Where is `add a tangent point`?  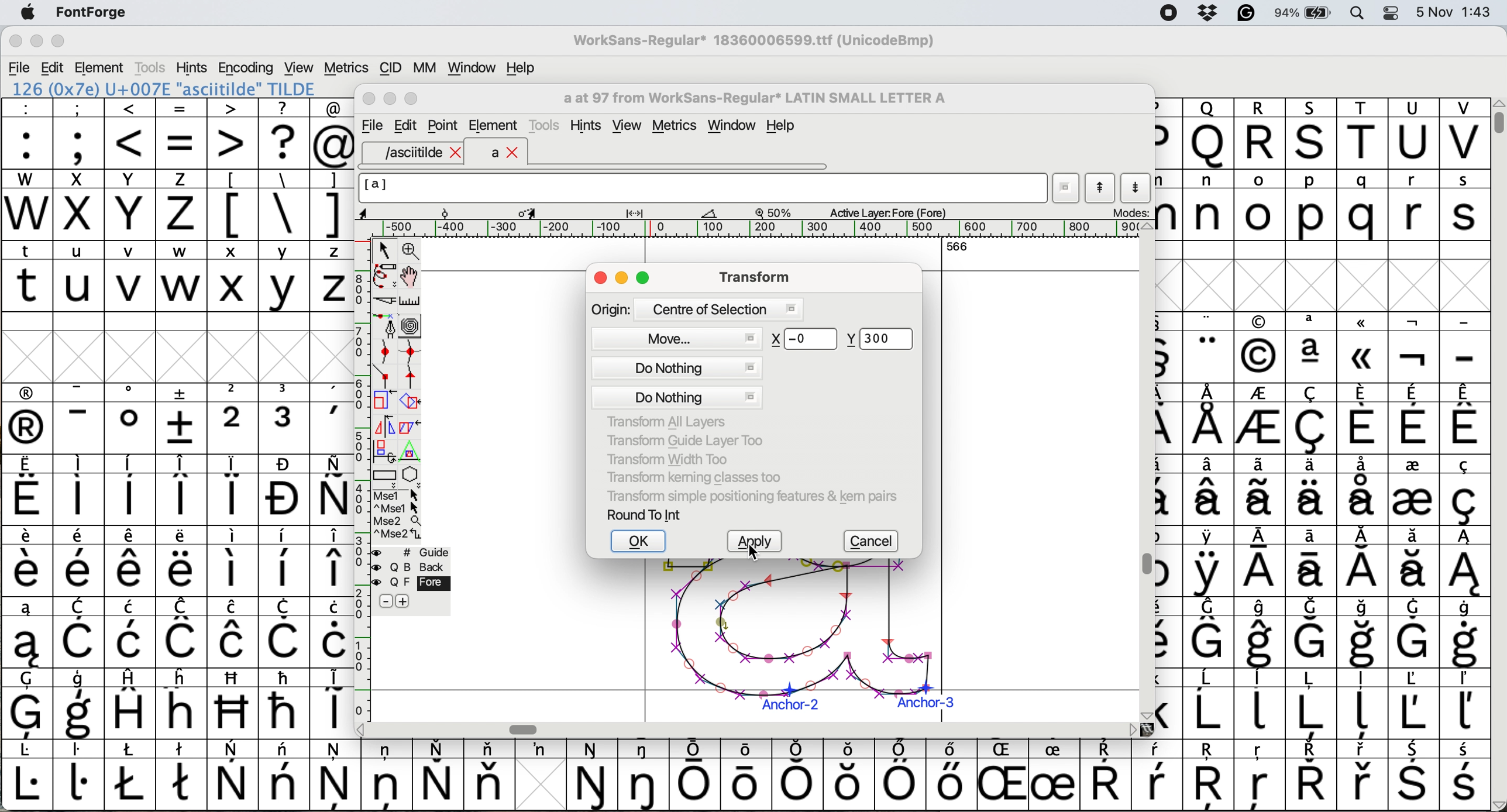 add a tangent point is located at coordinates (413, 376).